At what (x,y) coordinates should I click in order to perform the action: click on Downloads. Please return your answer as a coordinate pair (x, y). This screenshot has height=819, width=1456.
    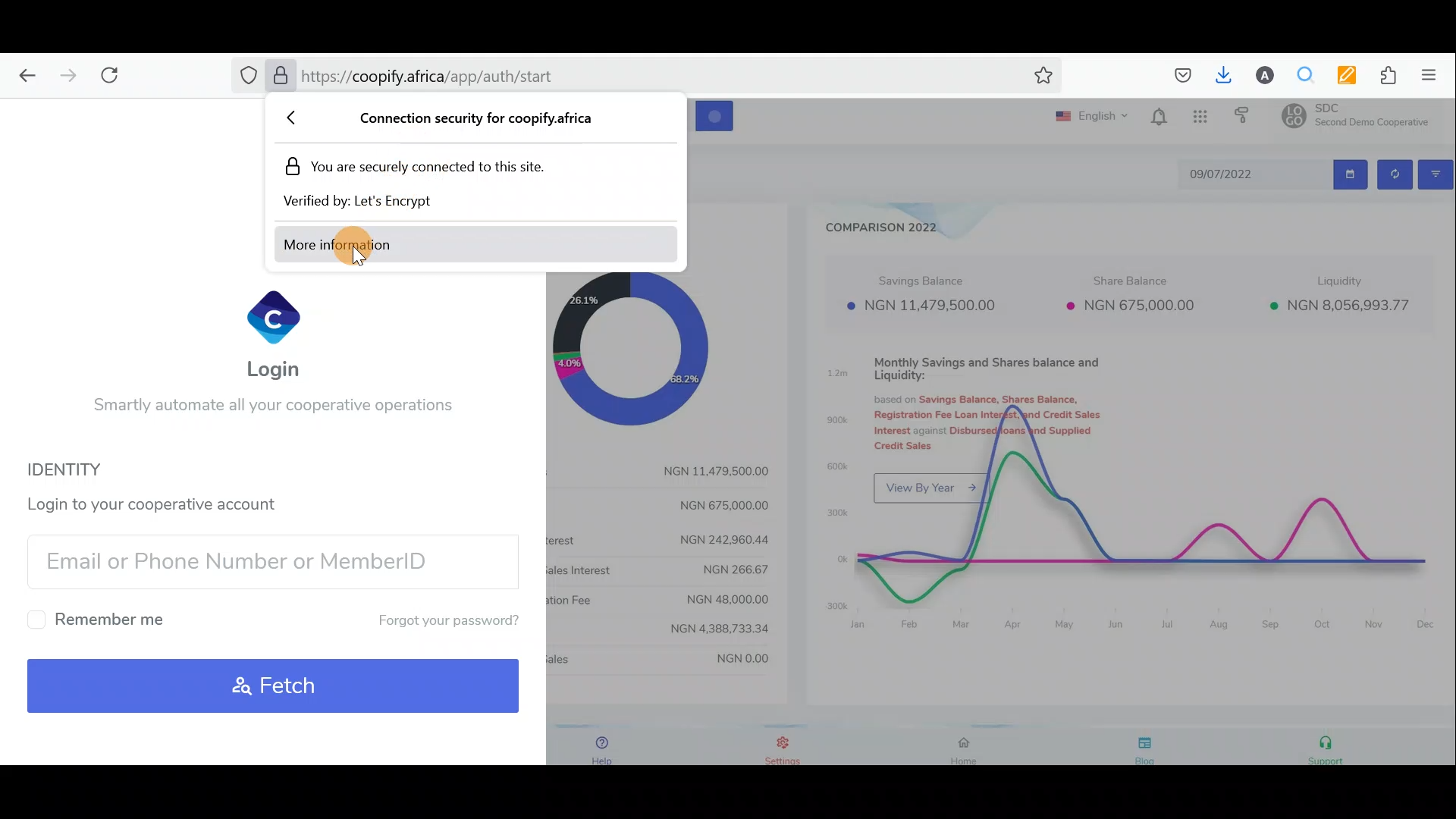
    Looking at the image, I should click on (1220, 74).